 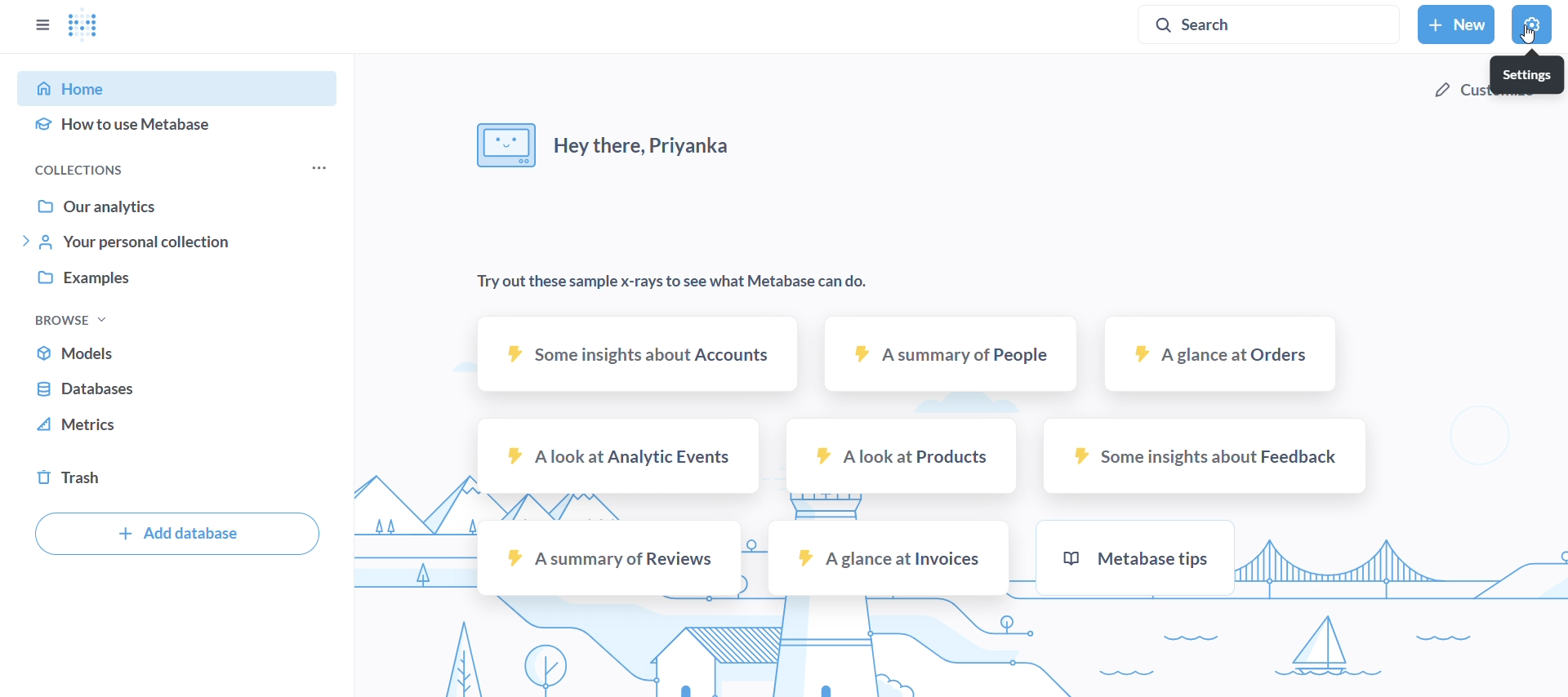 I want to click on a glance at invoices, so click(x=888, y=557).